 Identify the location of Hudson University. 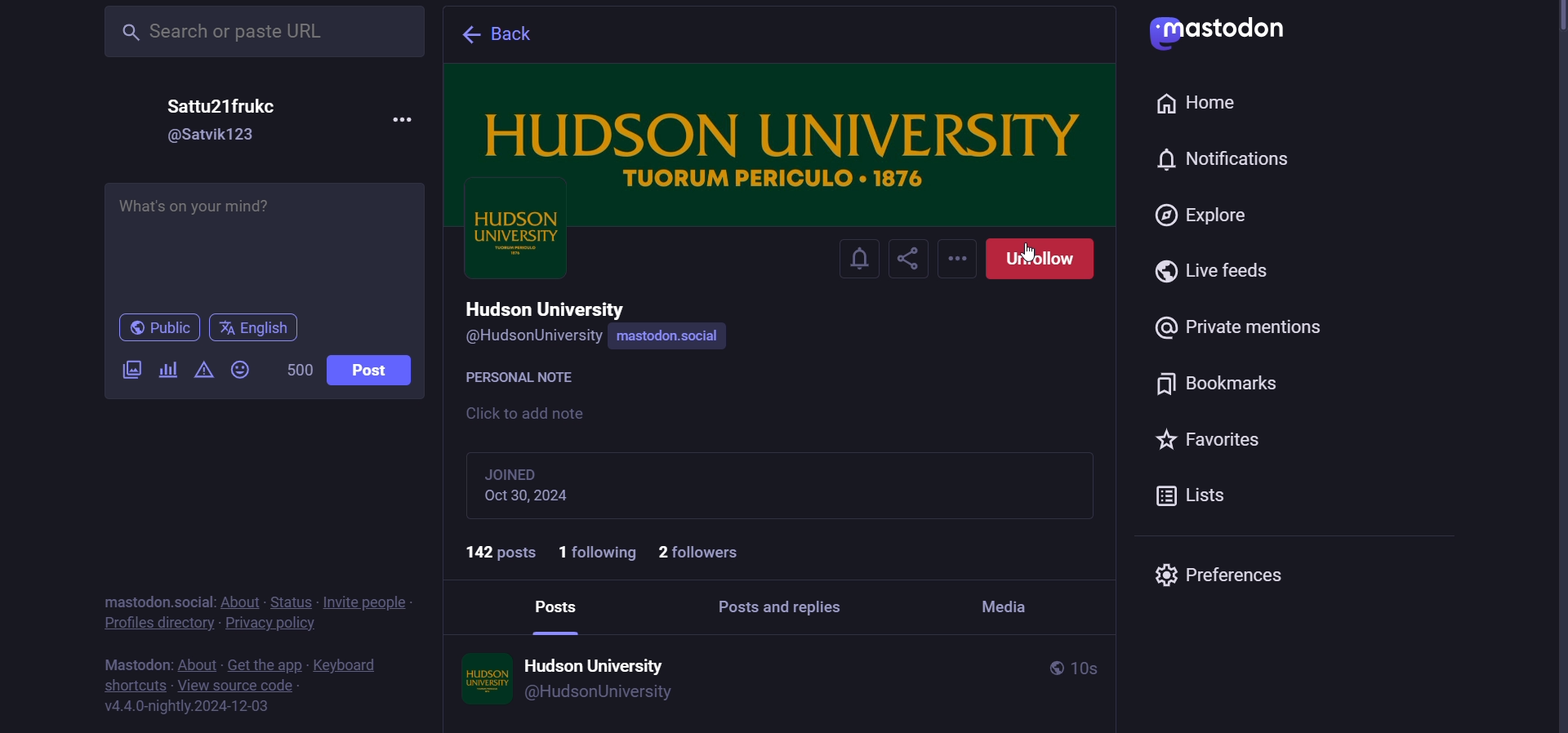
(550, 306).